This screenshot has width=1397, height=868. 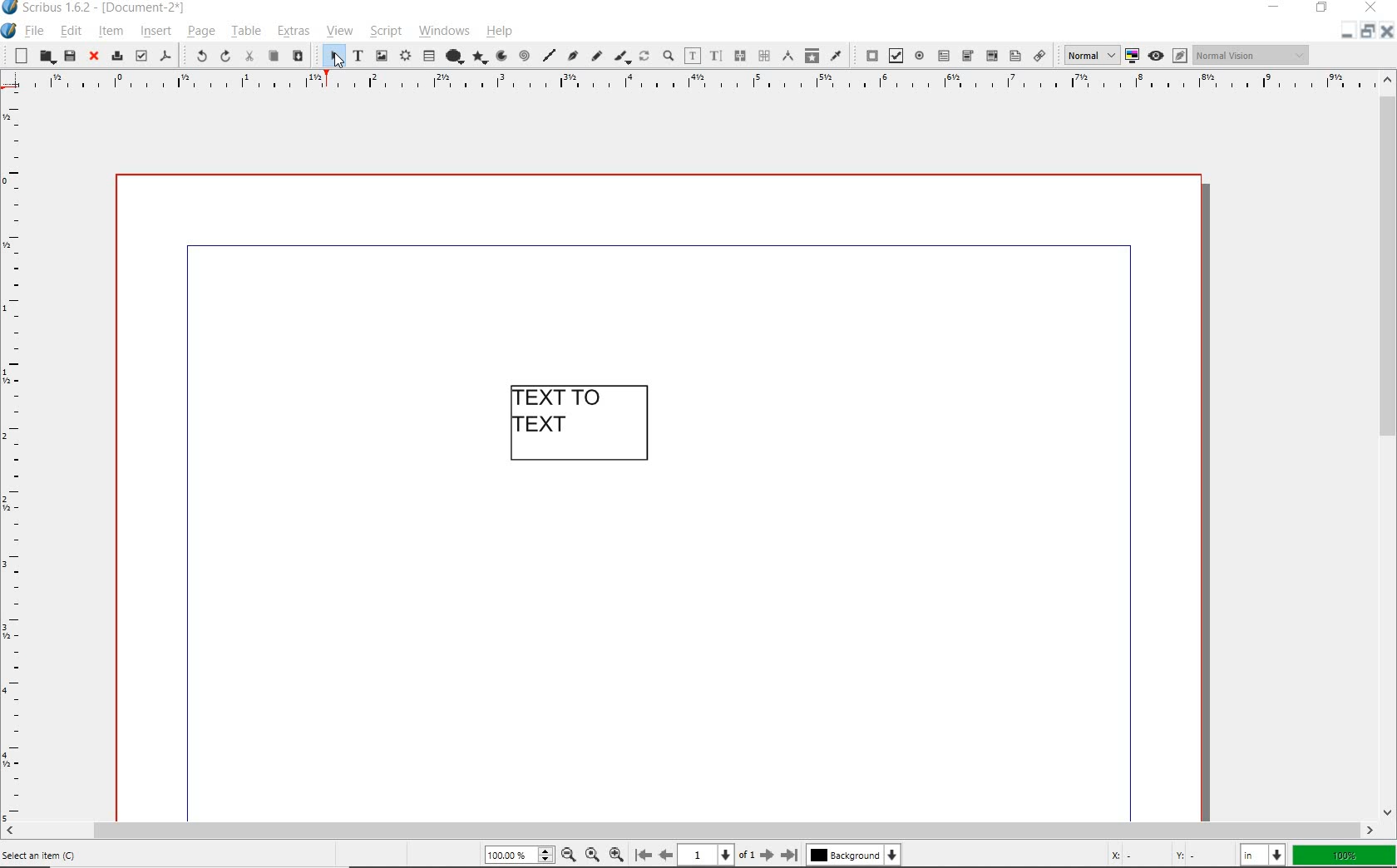 I want to click on preview mode, so click(x=1168, y=56).